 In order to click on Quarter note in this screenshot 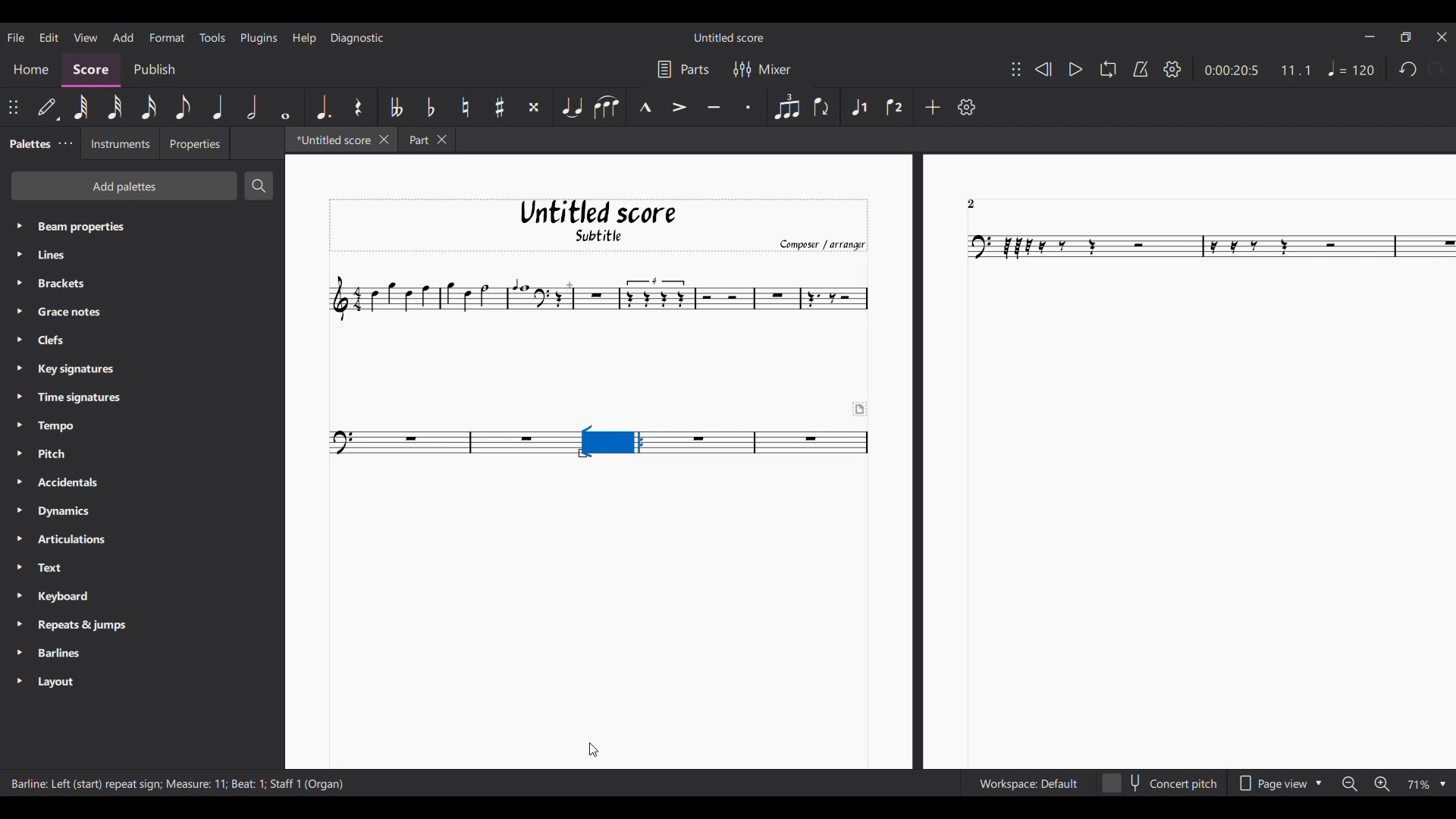, I will do `click(218, 107)`.